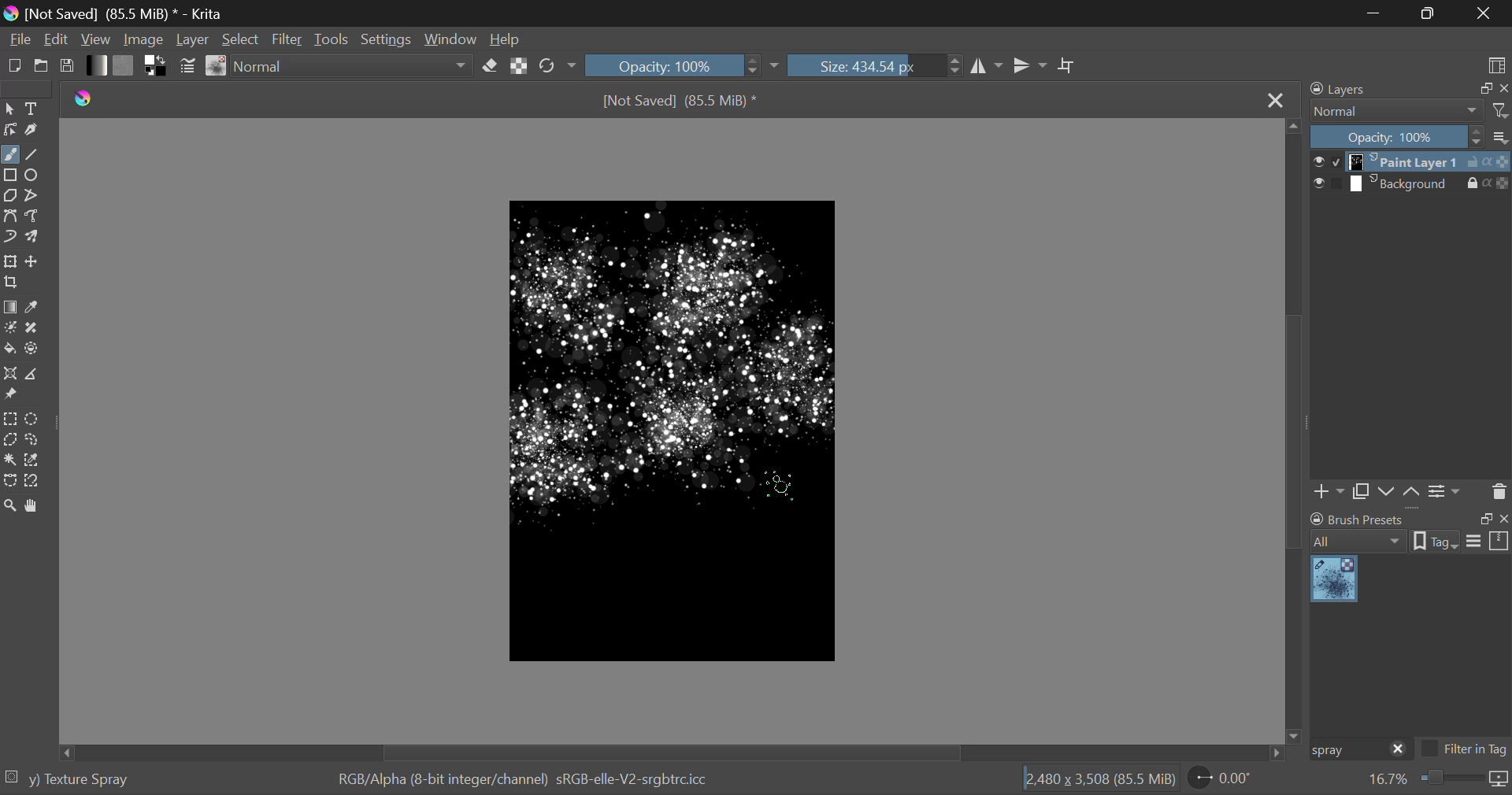  I want to click on Eyedropper, so click(34, 309).